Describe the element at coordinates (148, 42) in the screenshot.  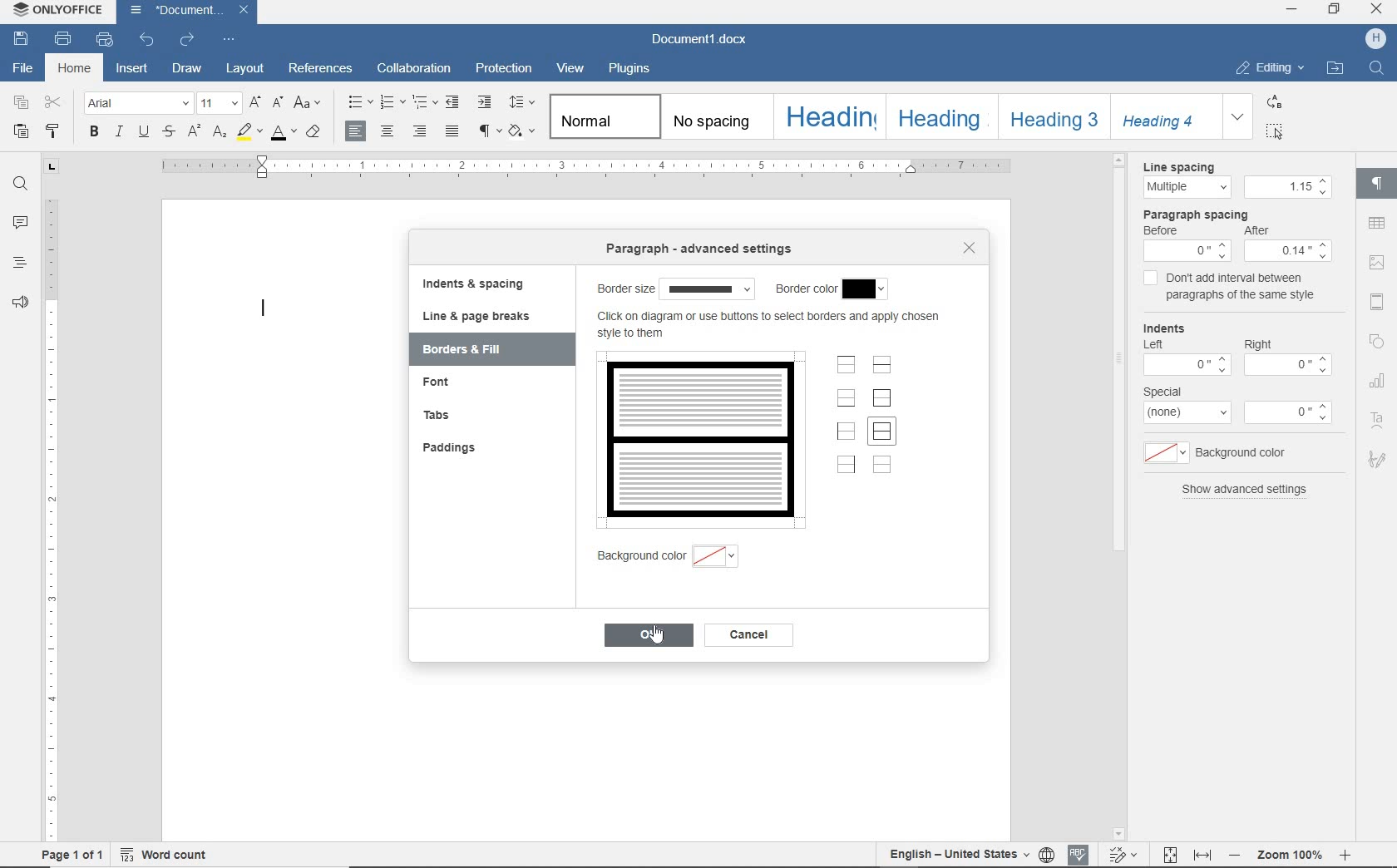
I see `undo` at that location.